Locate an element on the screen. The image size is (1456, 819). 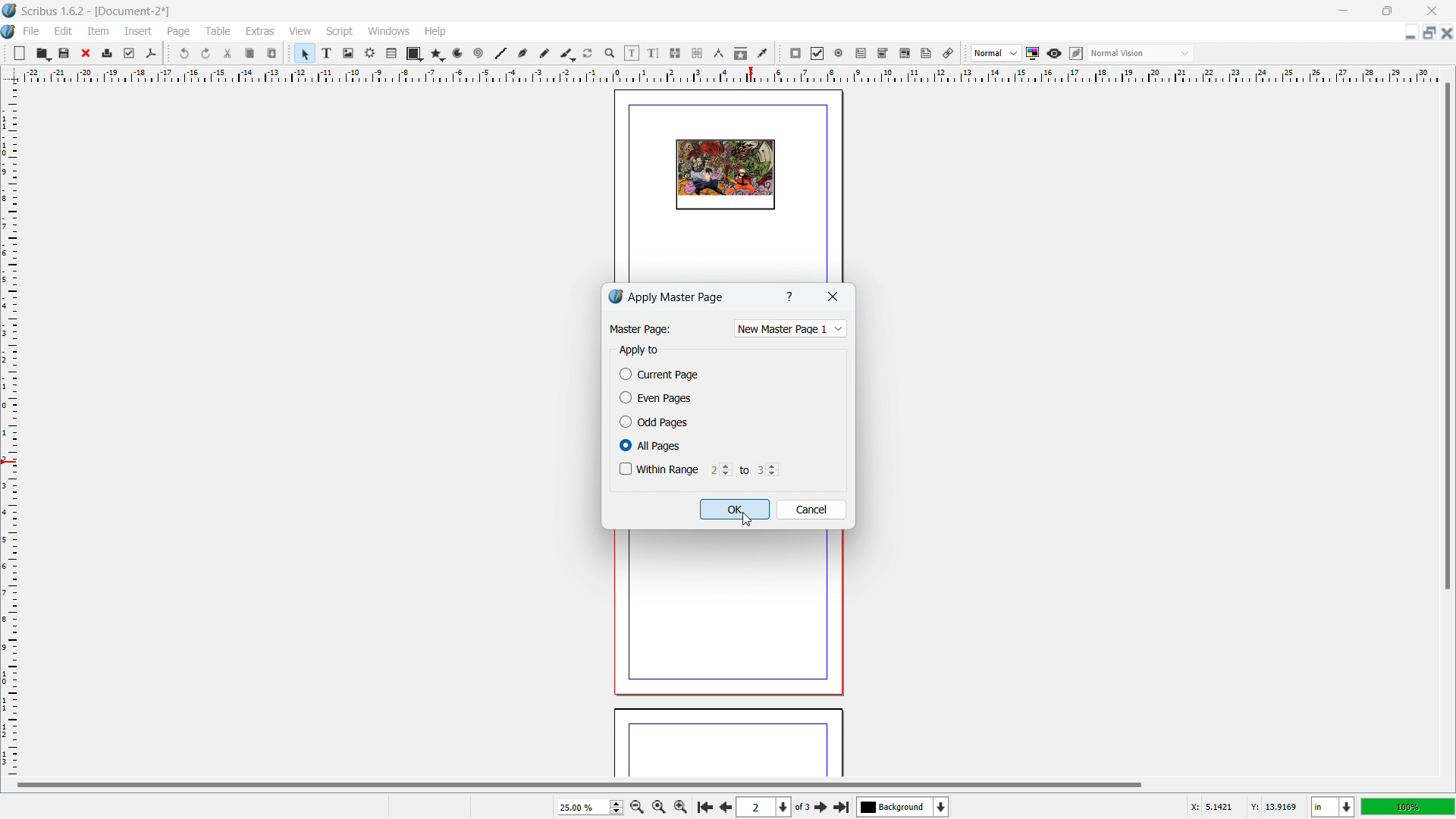
open is located at coordinates (42, 53).